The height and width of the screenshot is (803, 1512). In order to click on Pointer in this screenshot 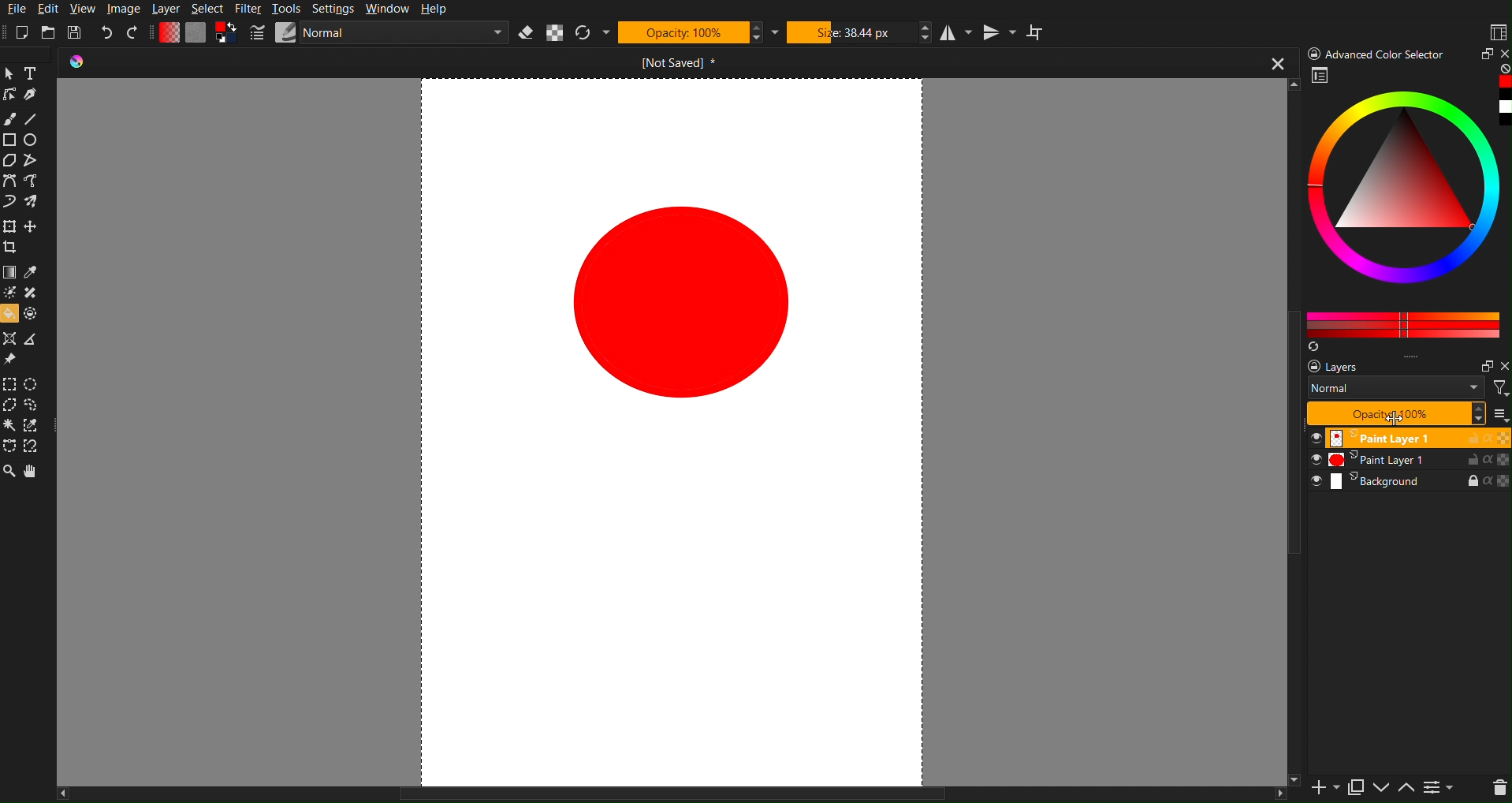, I will do `click(10, 73)`.